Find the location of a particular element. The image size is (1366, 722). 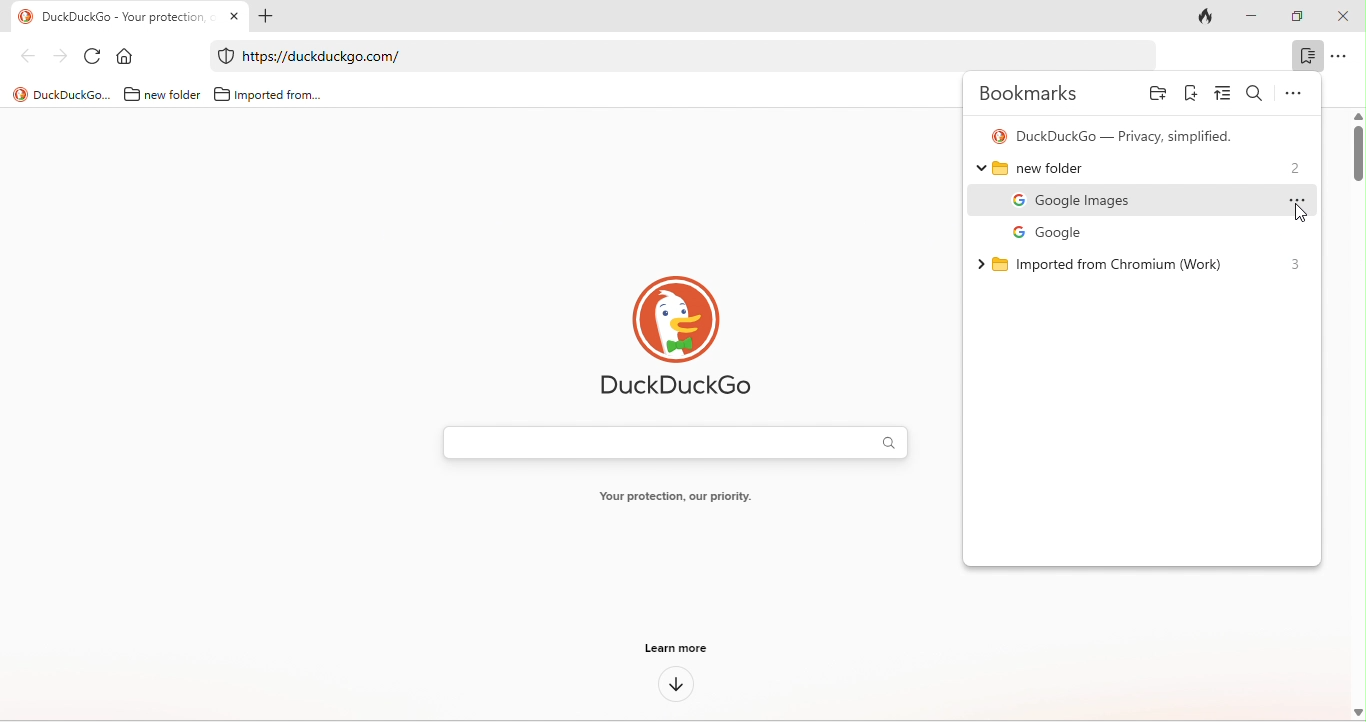

bookmark is located at coordinates (1305, 58).